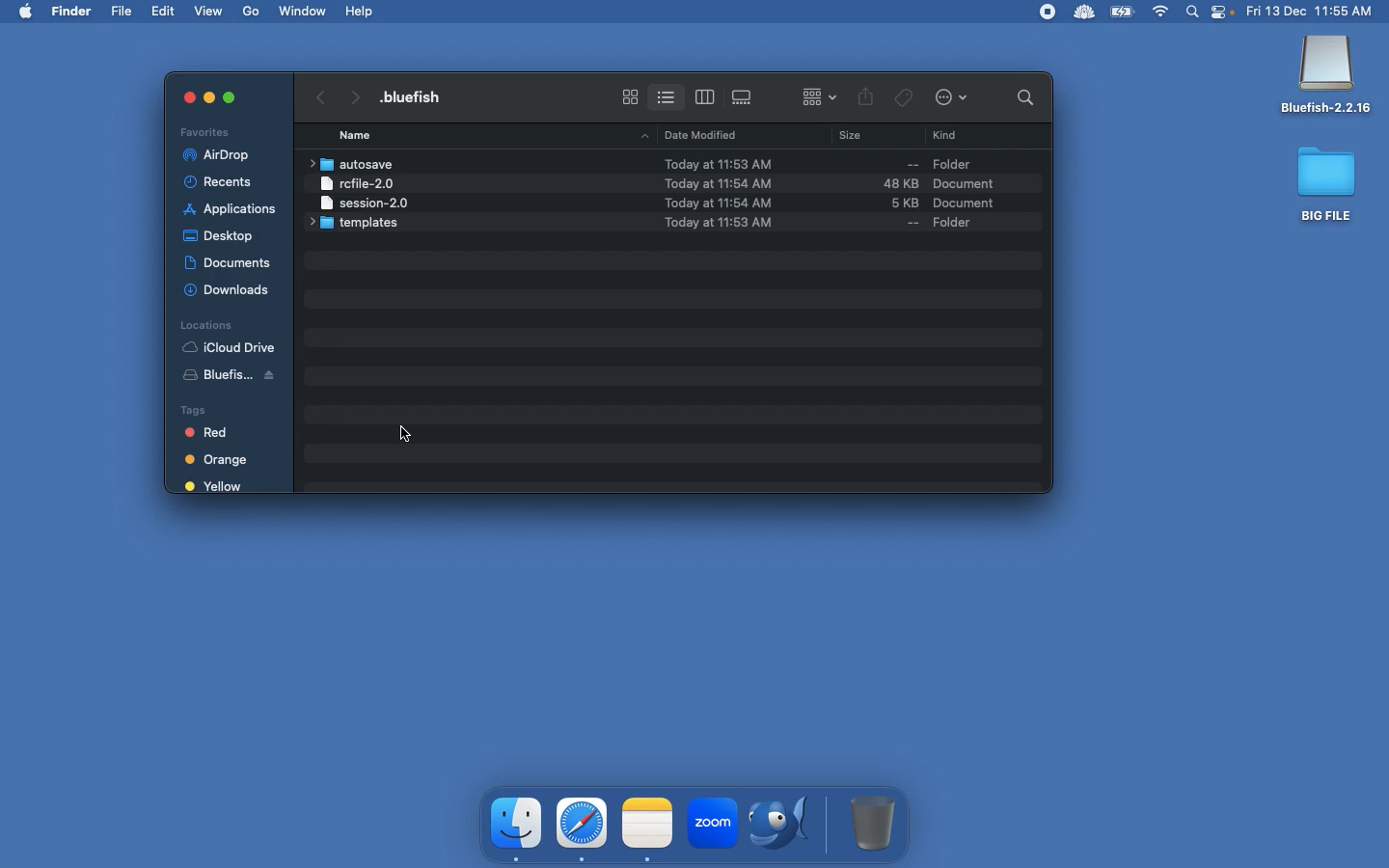 Image resolution: width=1389 pixels, height=868 pixels. Describe the element at coordinates (221, 408) in the screenshot. I see `Tags` at that location.